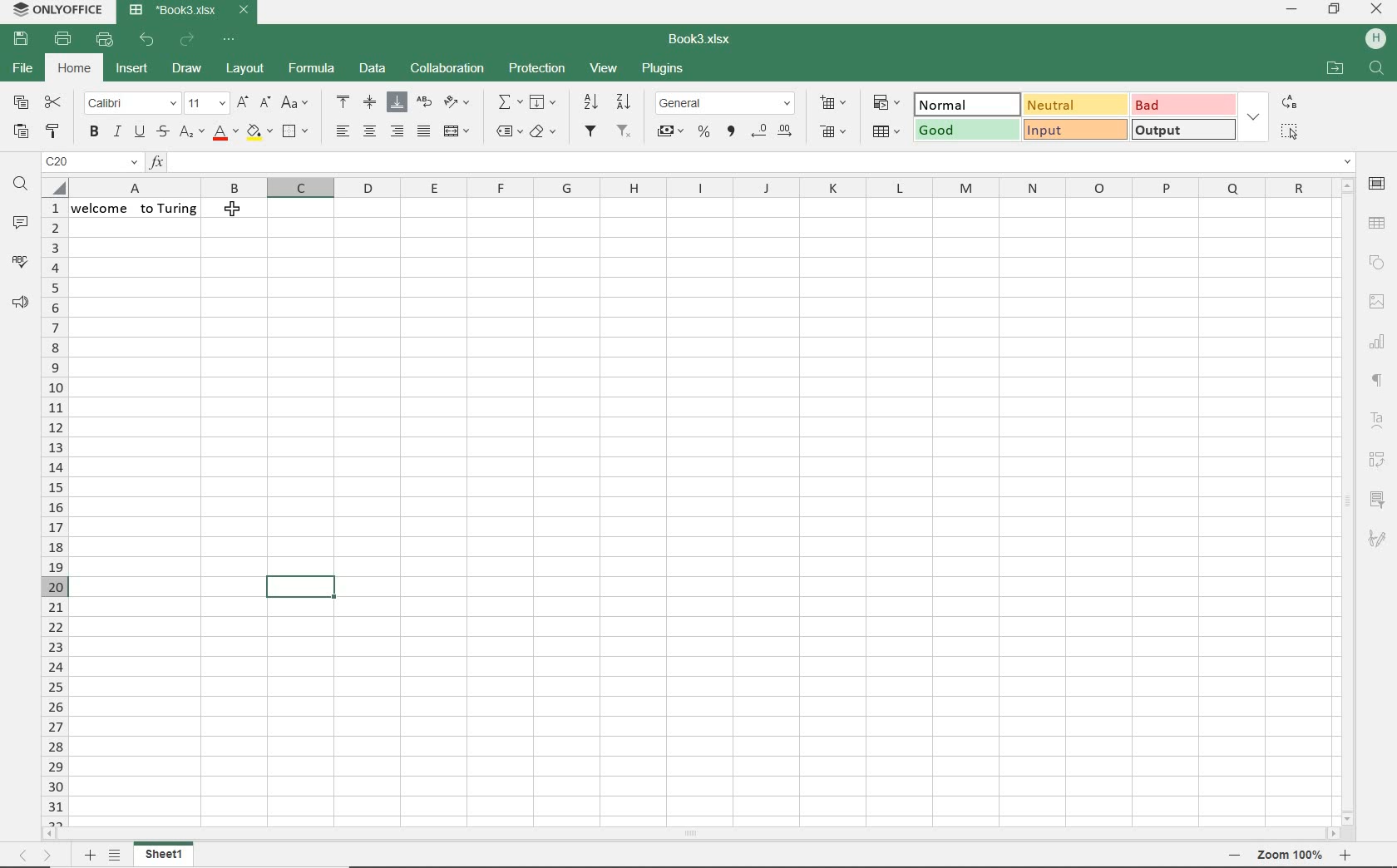 This screenshot has width=1397, height=868. Describe the element at coordinates (305, 591) in the screenshot. I see `highlighted cell` at that location.